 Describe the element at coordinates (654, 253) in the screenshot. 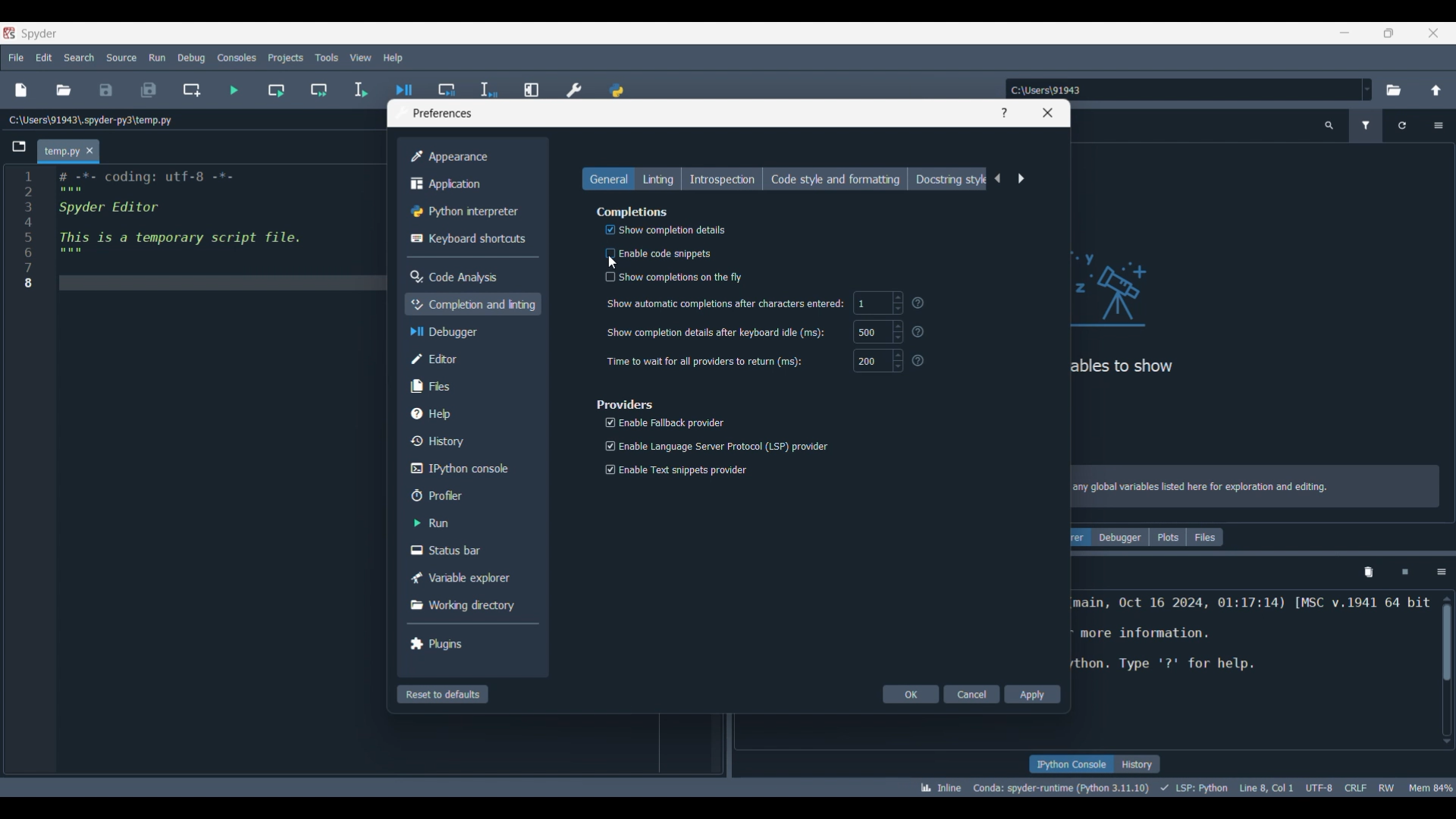

I see `Enable code snippets` at that location.